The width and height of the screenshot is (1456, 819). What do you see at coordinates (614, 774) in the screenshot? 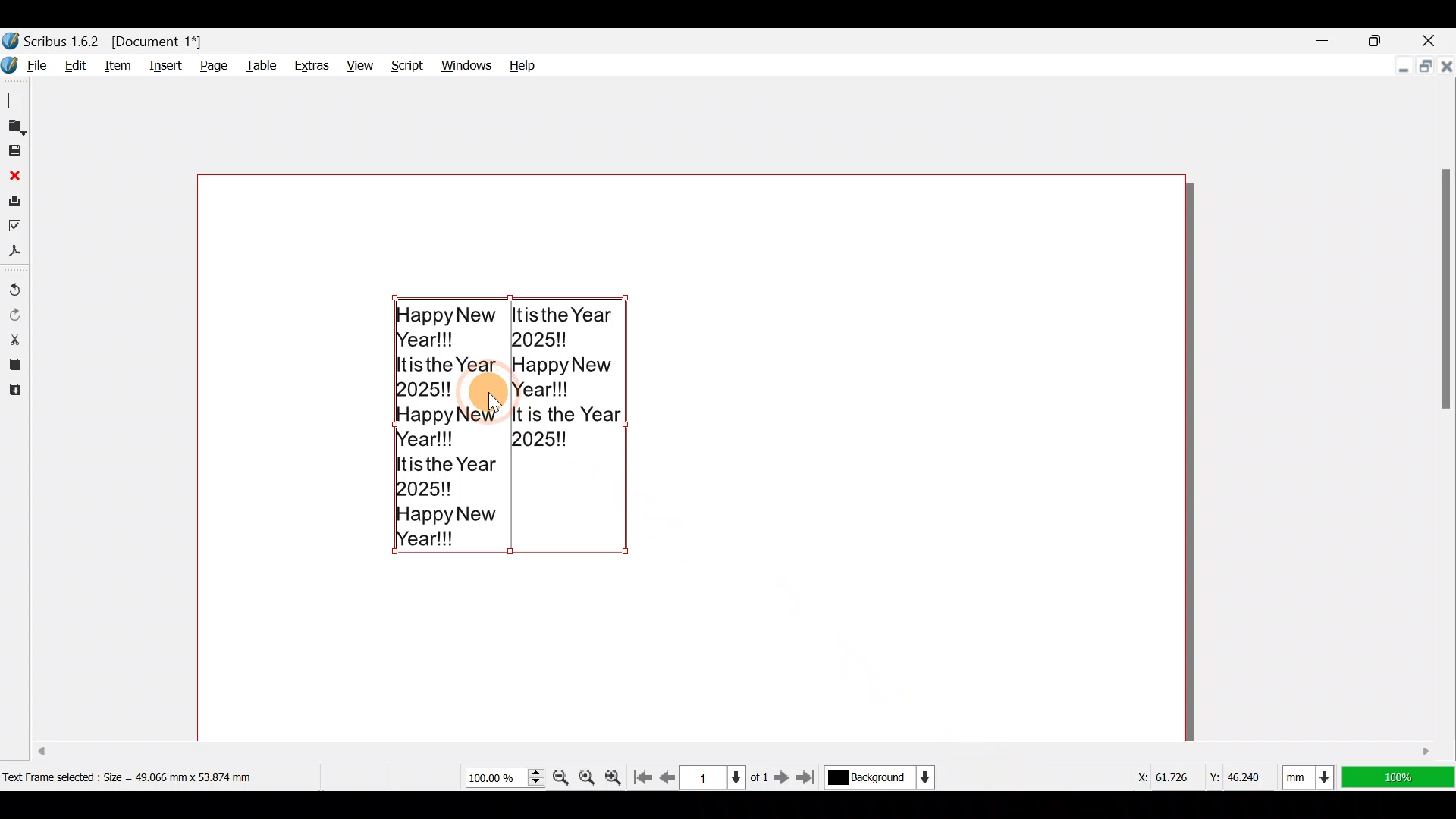
I see `Zoom in by the stepping value in tools preferences` at bounding box center [614, 774].